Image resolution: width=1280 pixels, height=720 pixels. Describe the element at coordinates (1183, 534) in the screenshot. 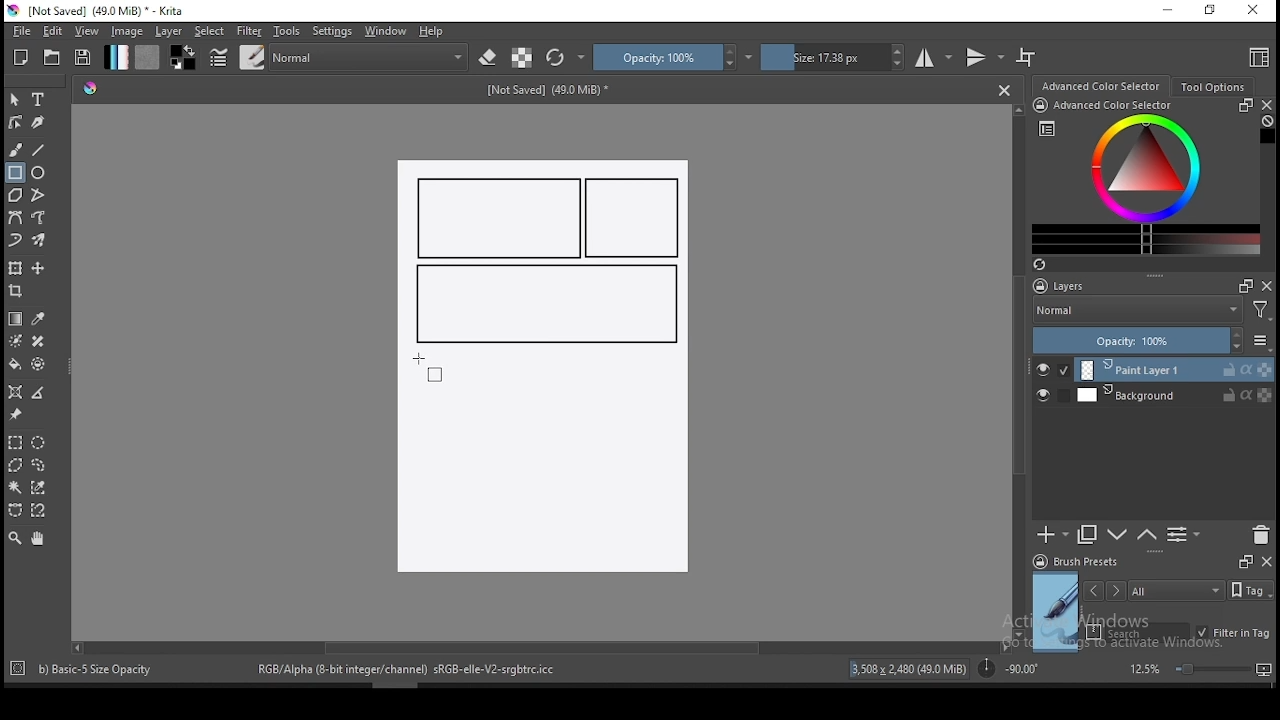

I see `view or change layer properties` at that location.